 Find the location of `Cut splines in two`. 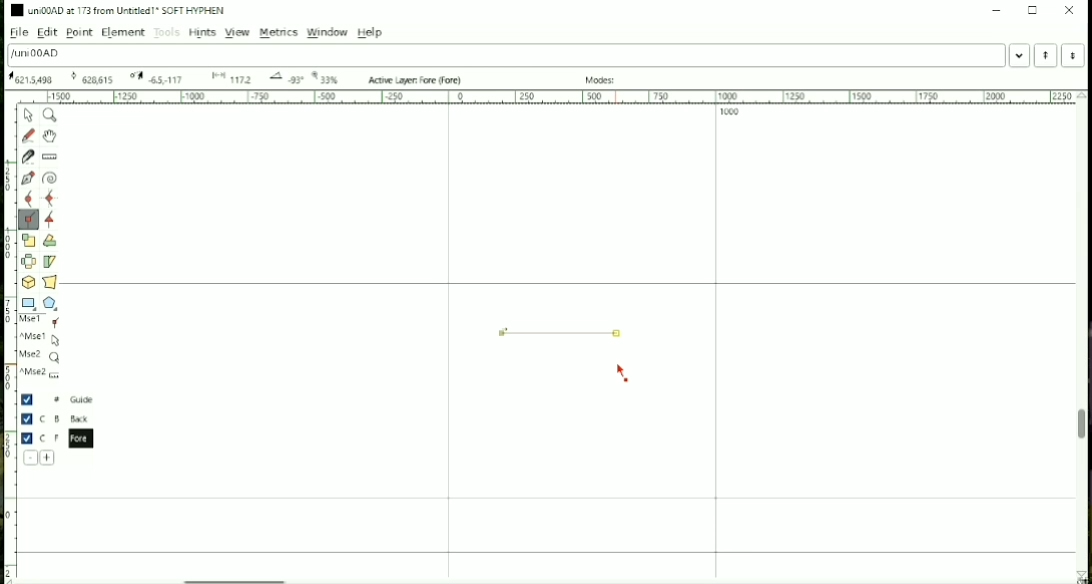

Cut splines in two is located at coordinates (28, 157).